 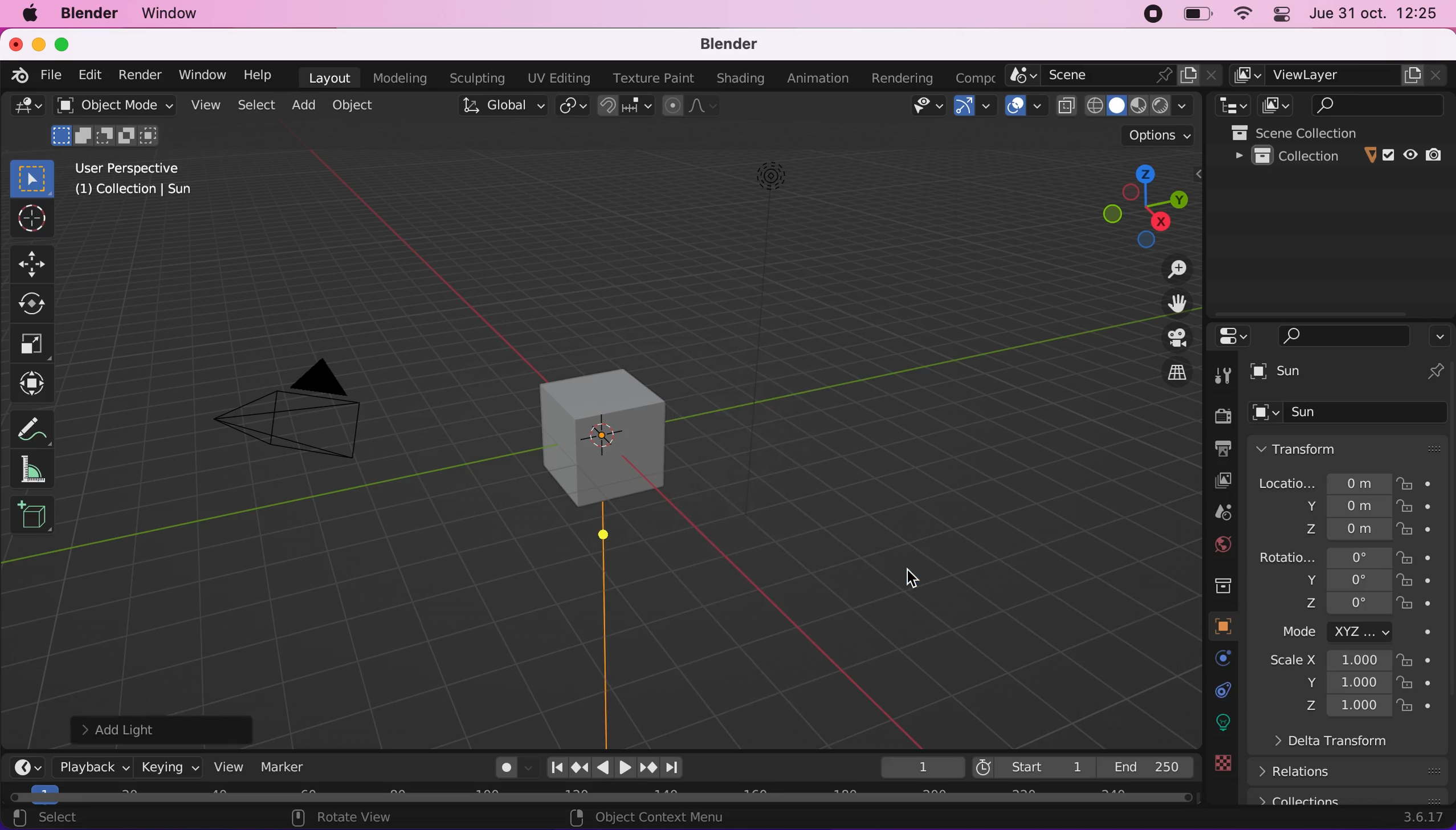 I want to click on rotatio... 0, so click(x=1323, y=558).